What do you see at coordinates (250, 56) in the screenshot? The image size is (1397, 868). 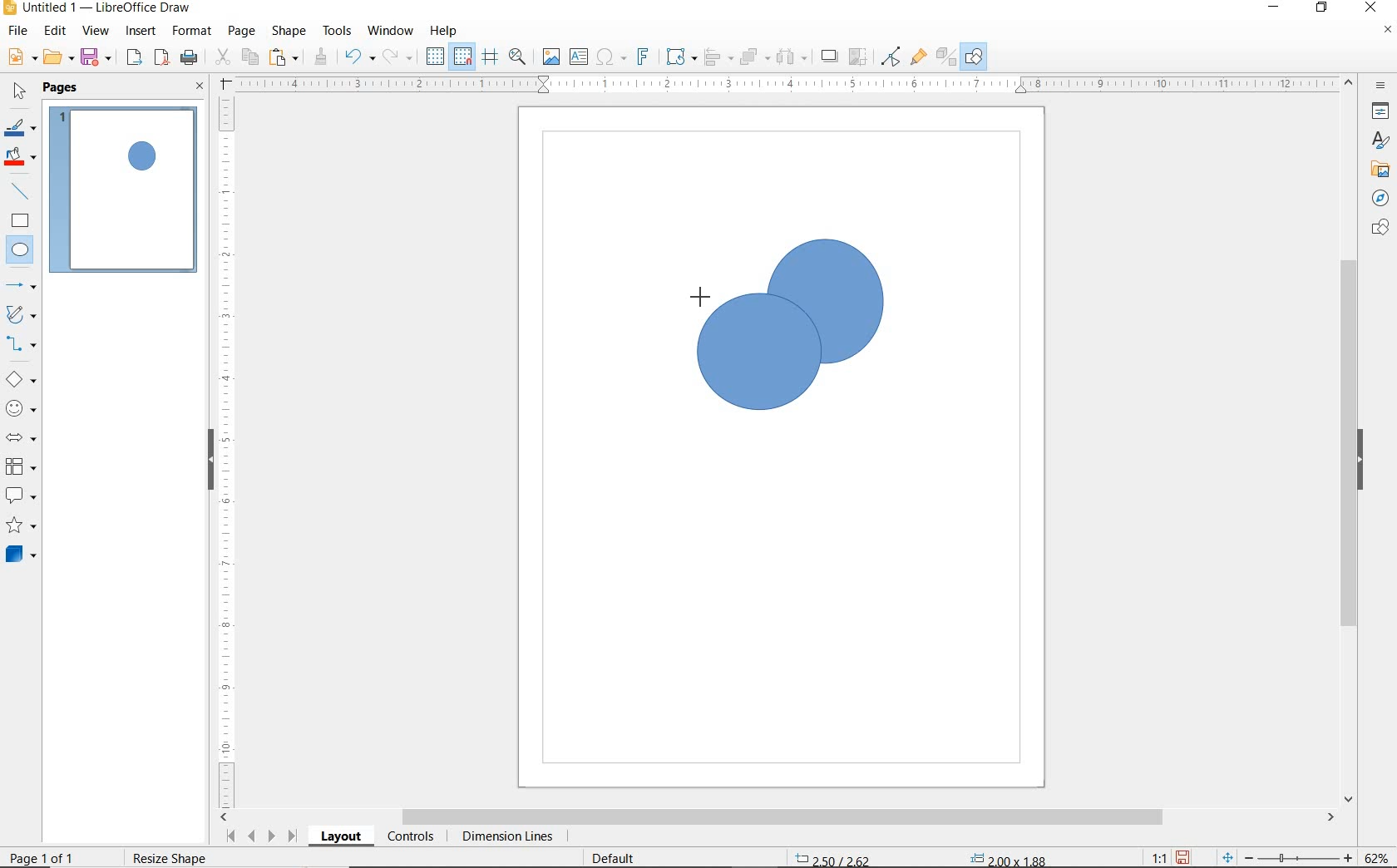 I see `COPY` at bounding box center [250, 56].